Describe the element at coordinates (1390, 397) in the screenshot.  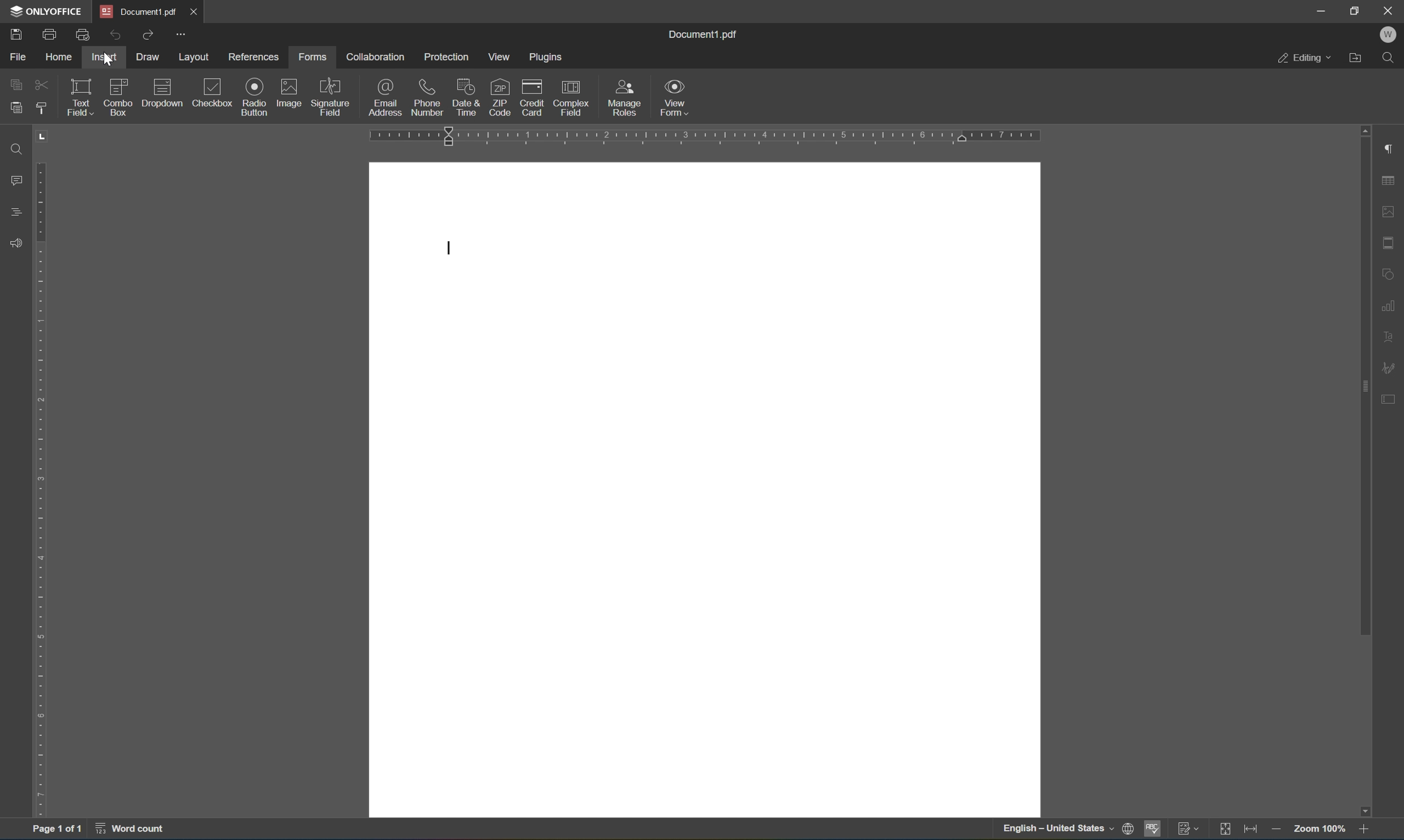
I see `Form settings` at that location.